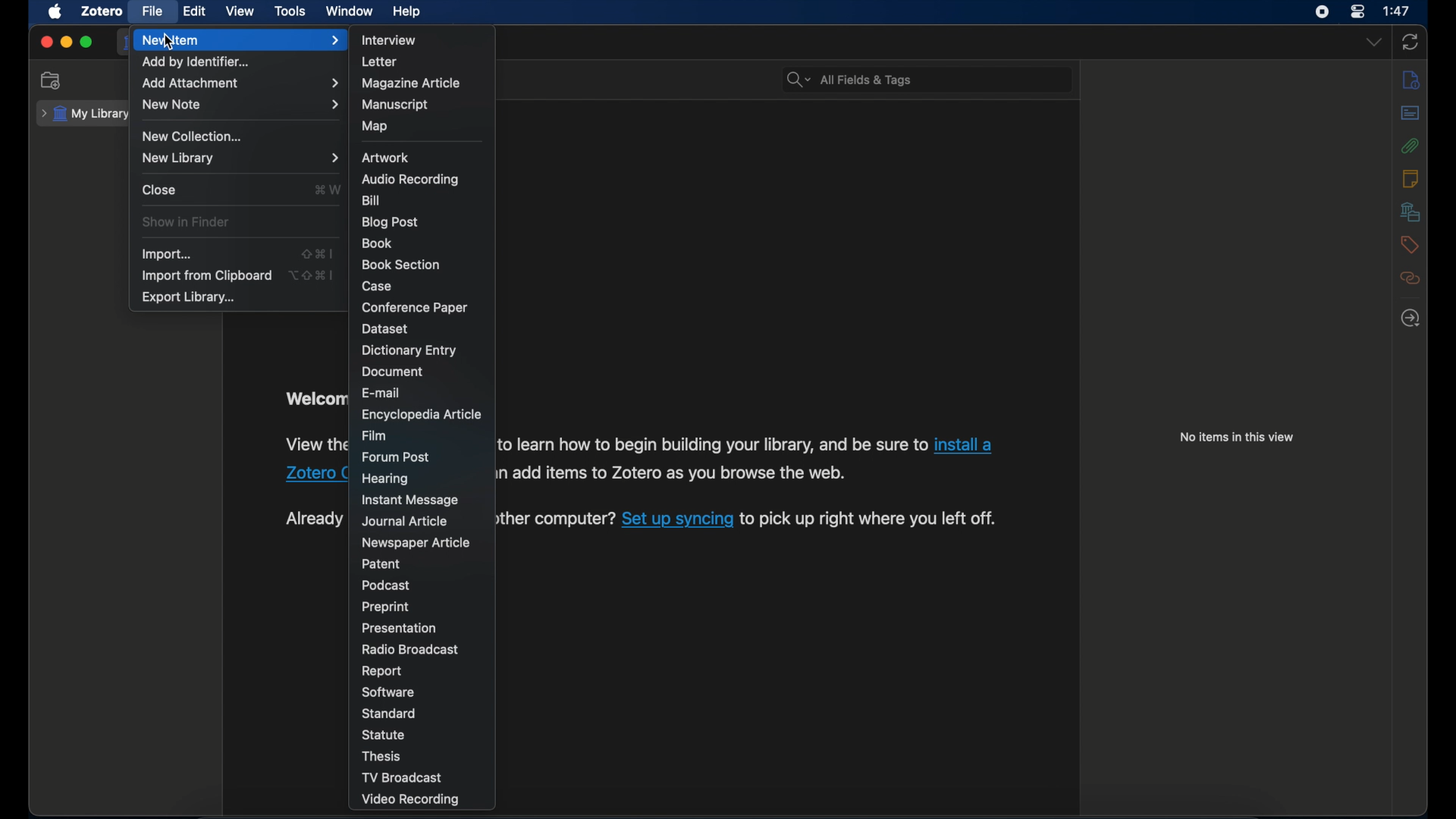  Describe the element at coordinates (1410, 146) in the screenshot. I see `attachmnents` at that location.